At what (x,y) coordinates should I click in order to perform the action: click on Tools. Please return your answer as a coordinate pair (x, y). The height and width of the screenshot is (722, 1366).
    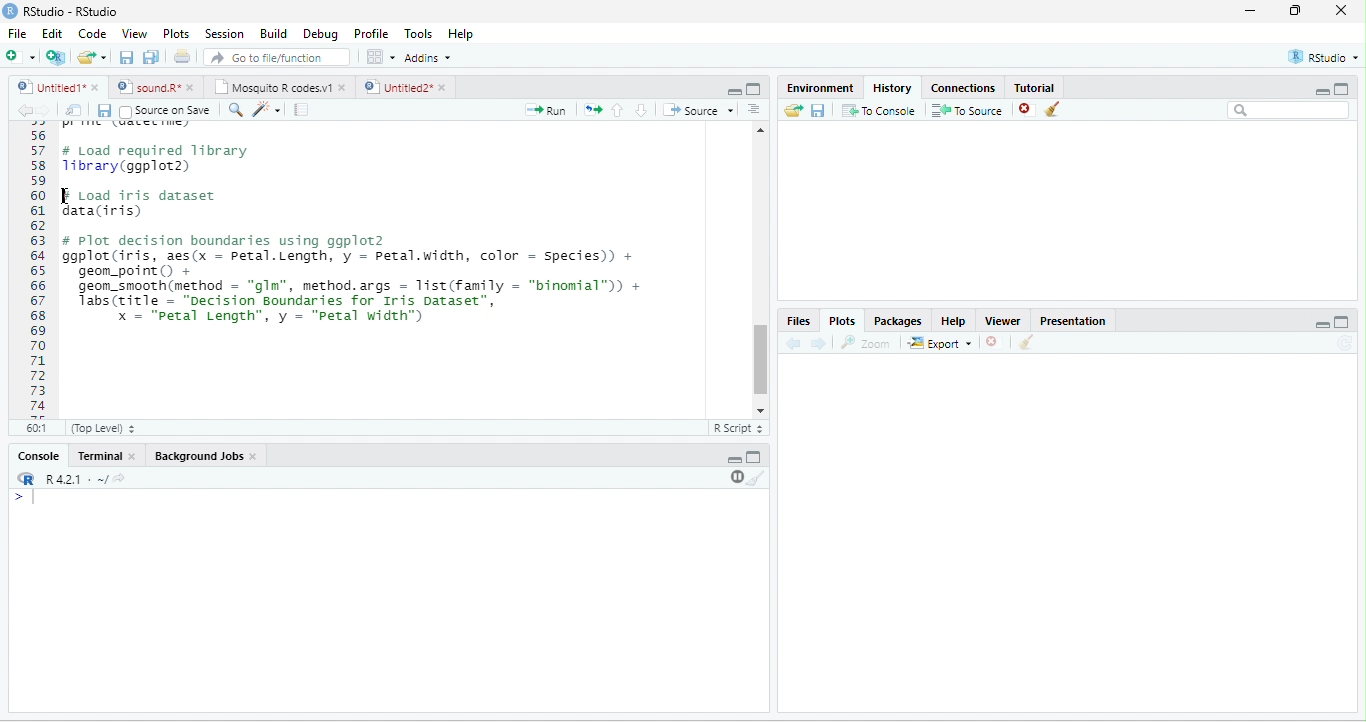
    Looking at the image, I should click on (420, 34).